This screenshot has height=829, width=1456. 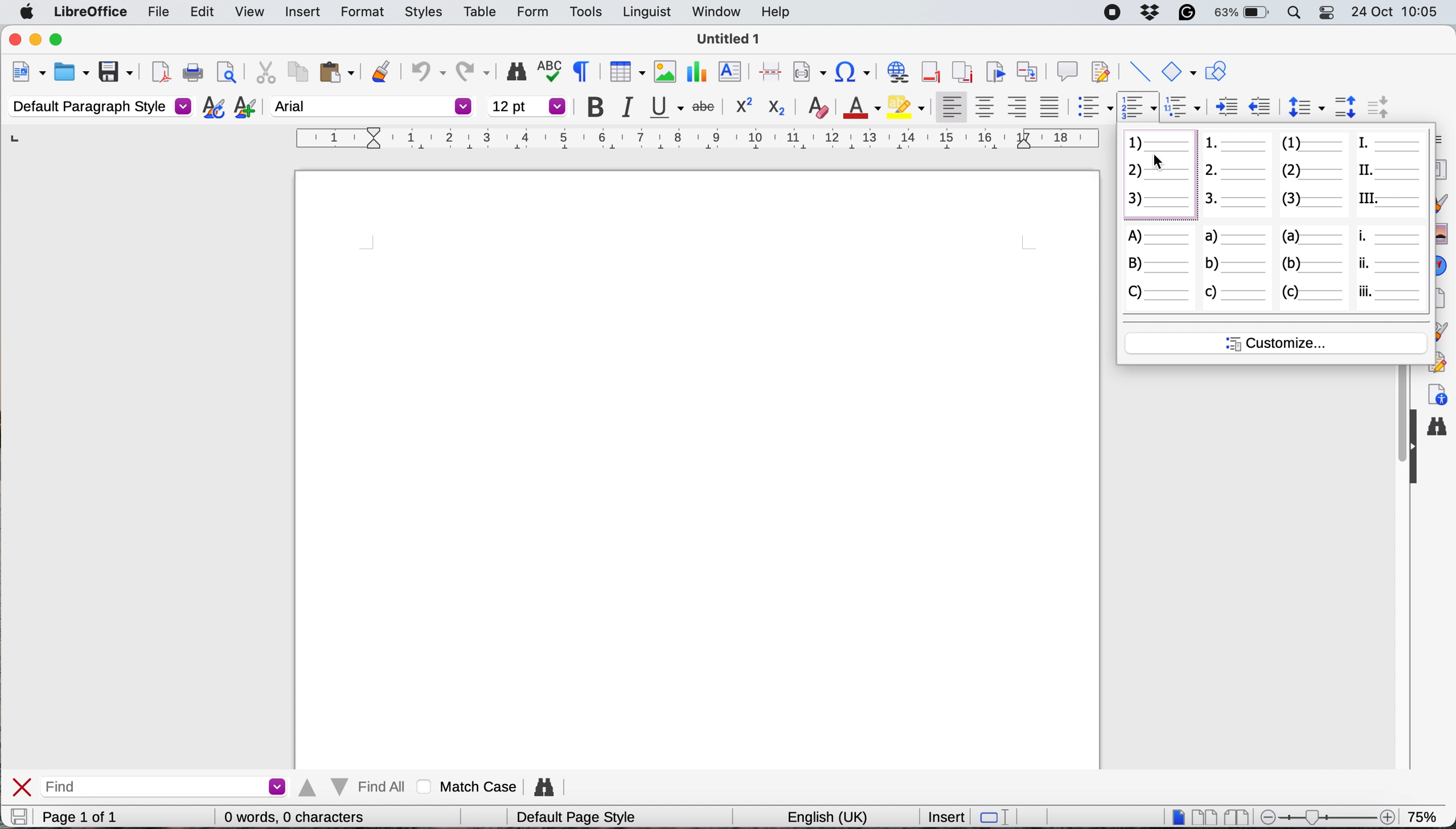 What do you see at coordinates (1303, 106) in the screenshot?
I see `set line spacing` at bounding box center [1303, 106].